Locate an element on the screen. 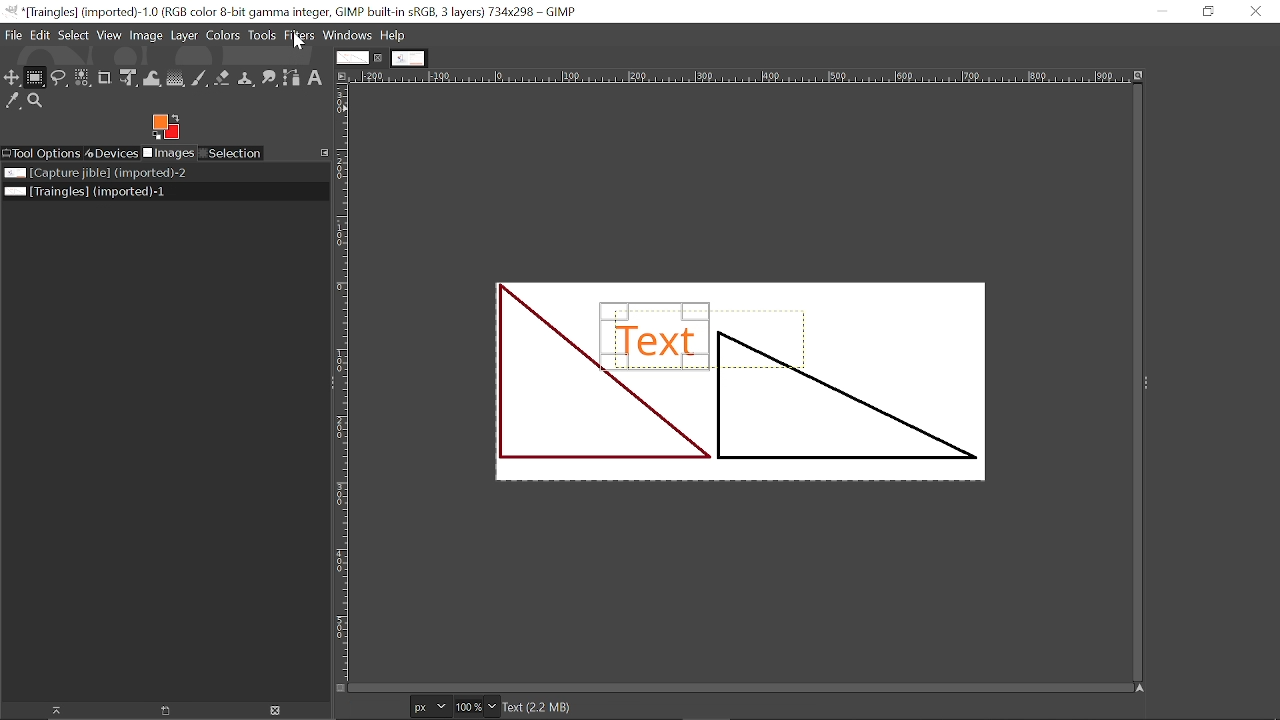 The width and height of the screenshot is (1280, 720). Configure this tab is located at coordinates (324, 152).